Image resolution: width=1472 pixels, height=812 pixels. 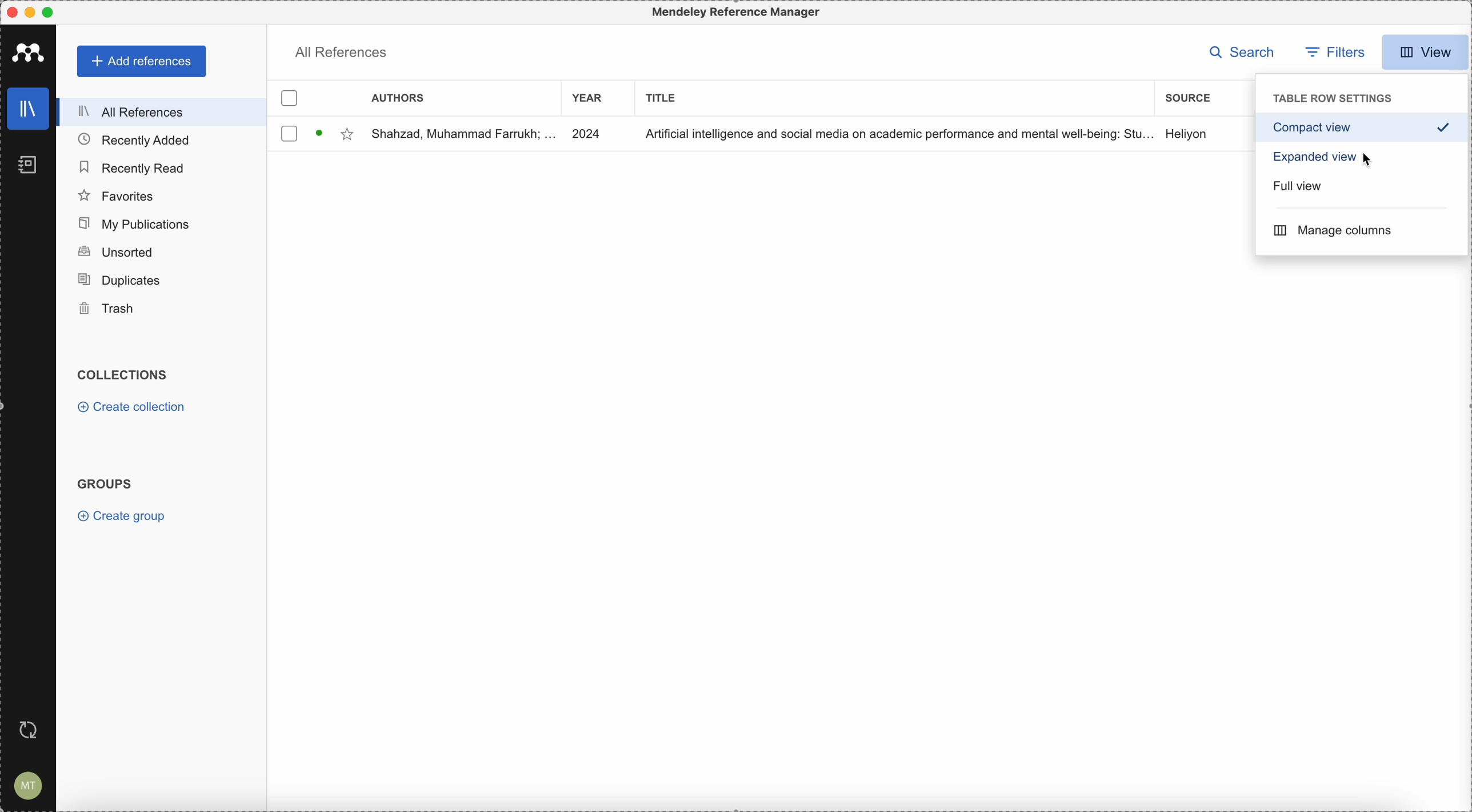 What do you see at coordinates (162, 113) in the screenshot?
I see `all references` at bounding box center [162, 113].